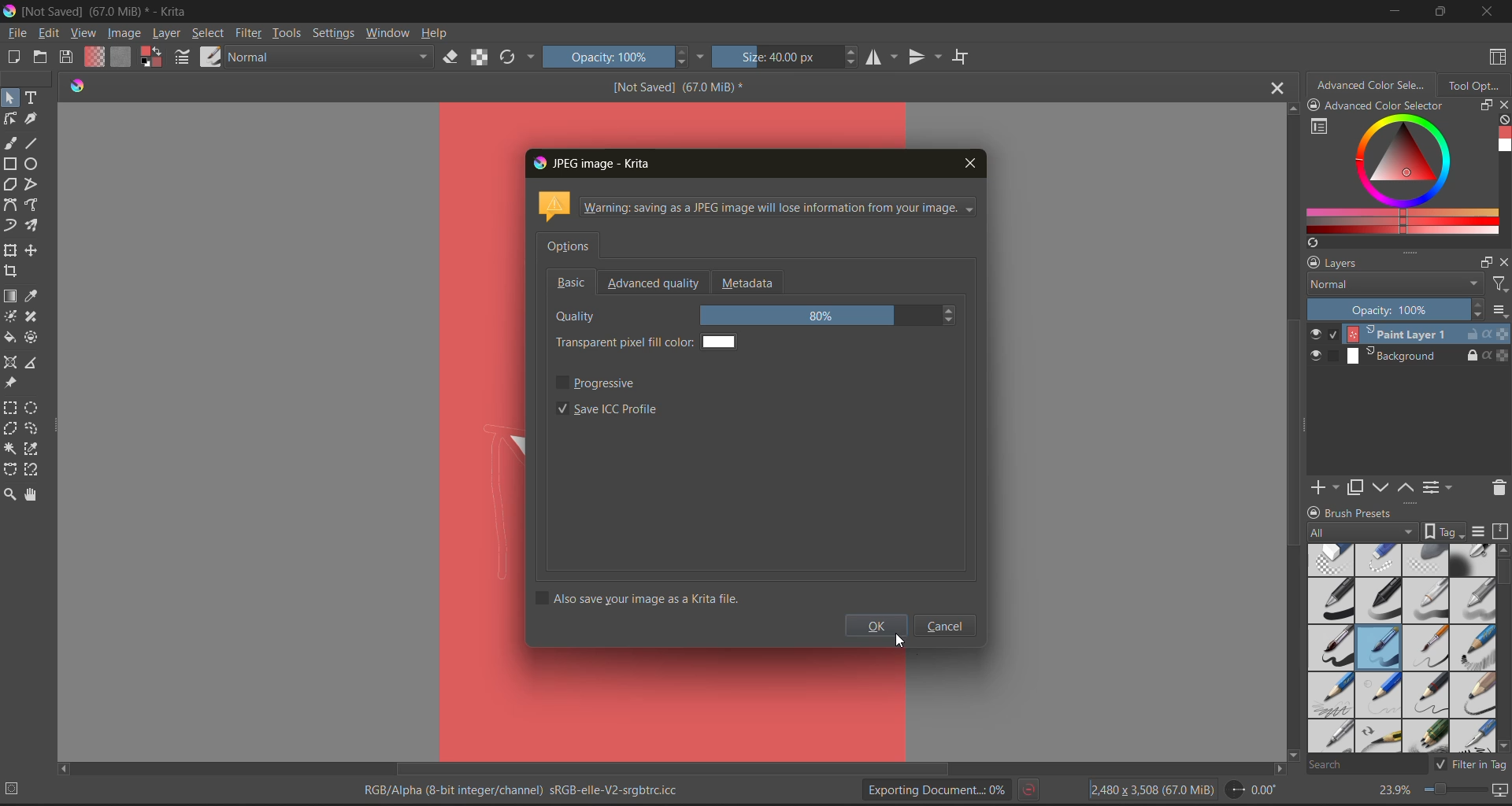  What do you see at coordinates (783, 58) in the screenshot?
I see `size` at bounding box center [783, 58].